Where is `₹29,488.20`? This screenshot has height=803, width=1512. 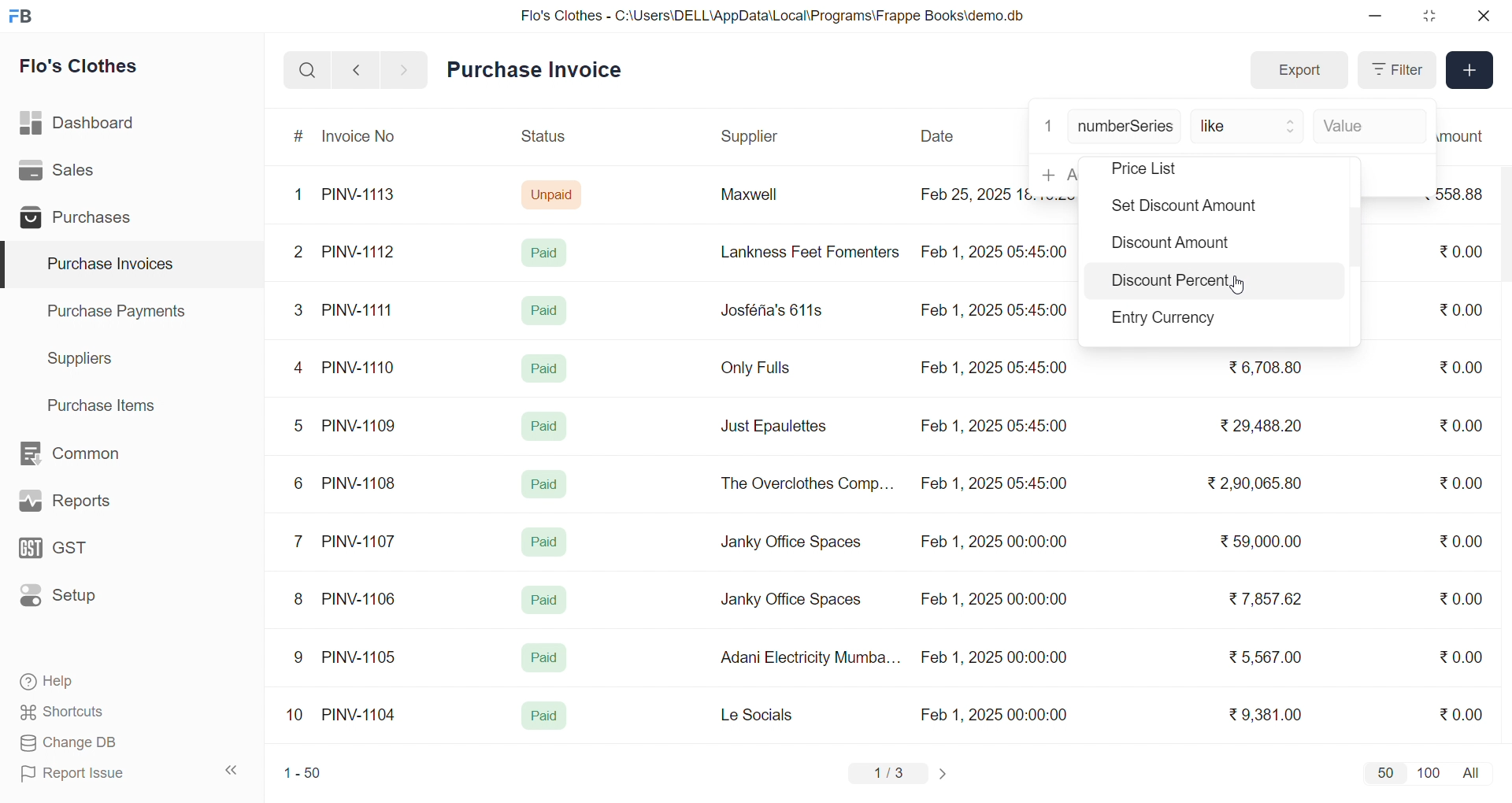
₹29,488.20 is located at coordinates (1256, 426).